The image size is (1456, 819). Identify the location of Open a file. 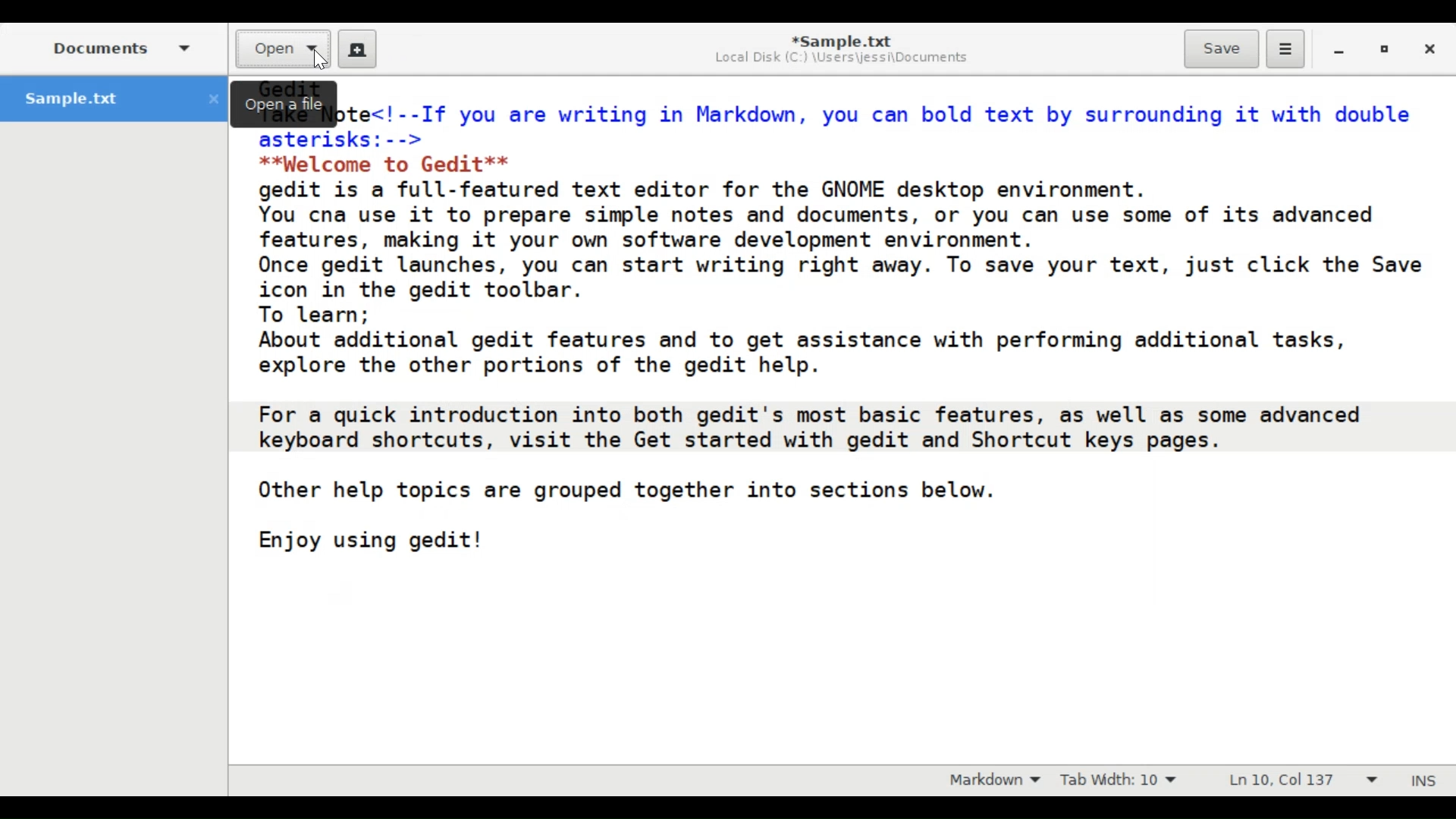
(287, 103).